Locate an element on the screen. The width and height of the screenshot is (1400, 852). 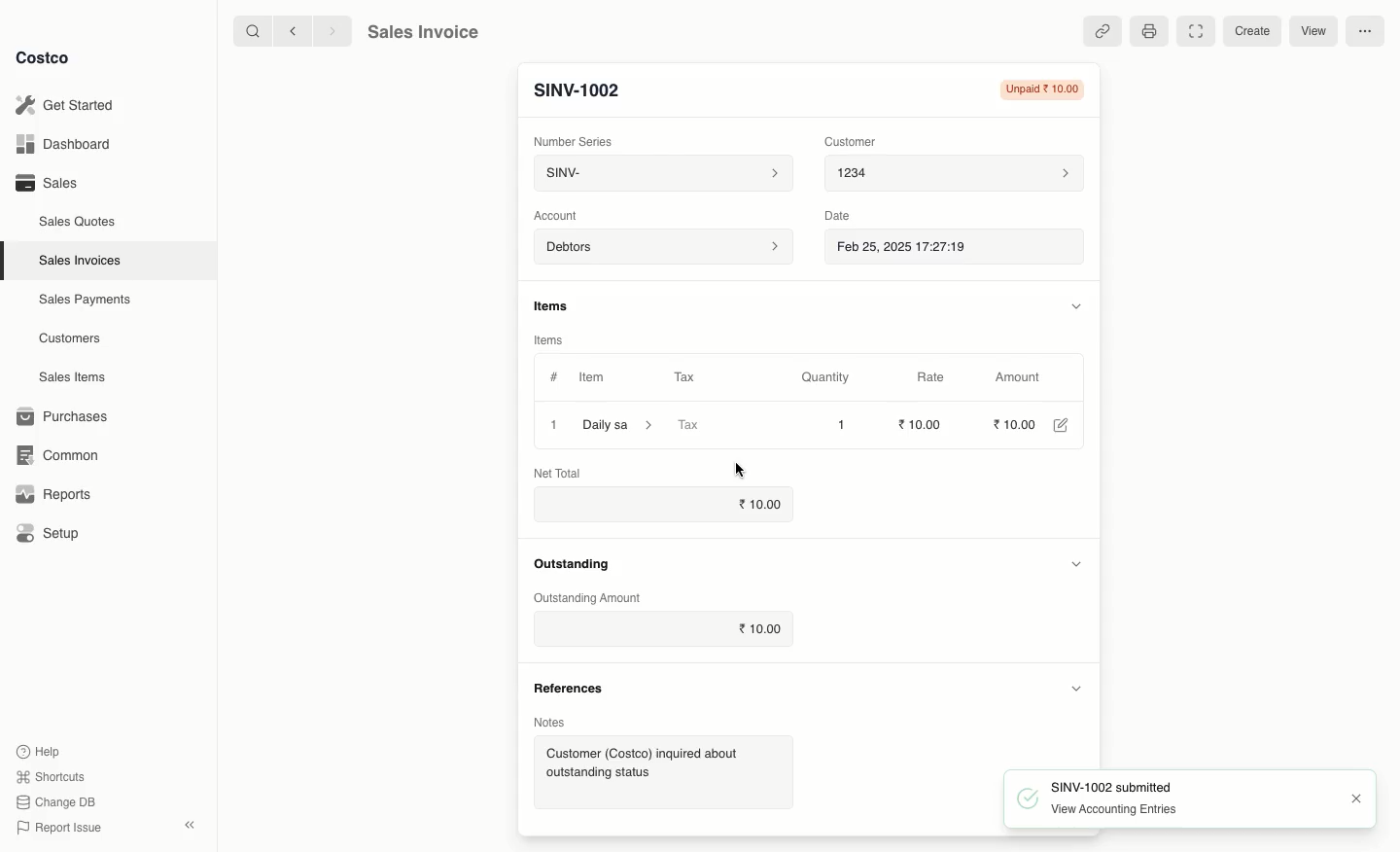
Sales Payments is located at coordinates (81, 301).